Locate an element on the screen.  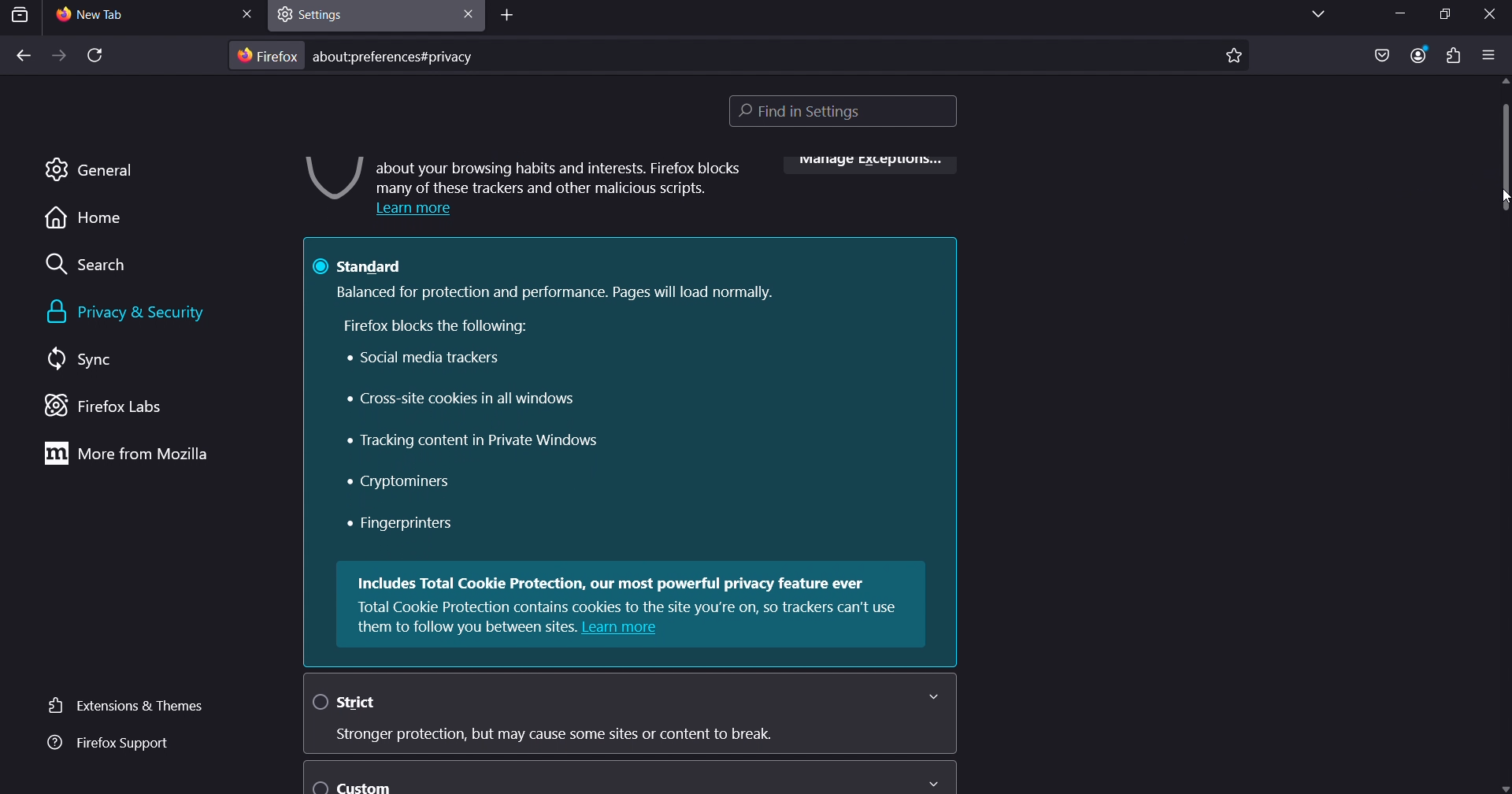
search tab is located at coordinates (20, 15).